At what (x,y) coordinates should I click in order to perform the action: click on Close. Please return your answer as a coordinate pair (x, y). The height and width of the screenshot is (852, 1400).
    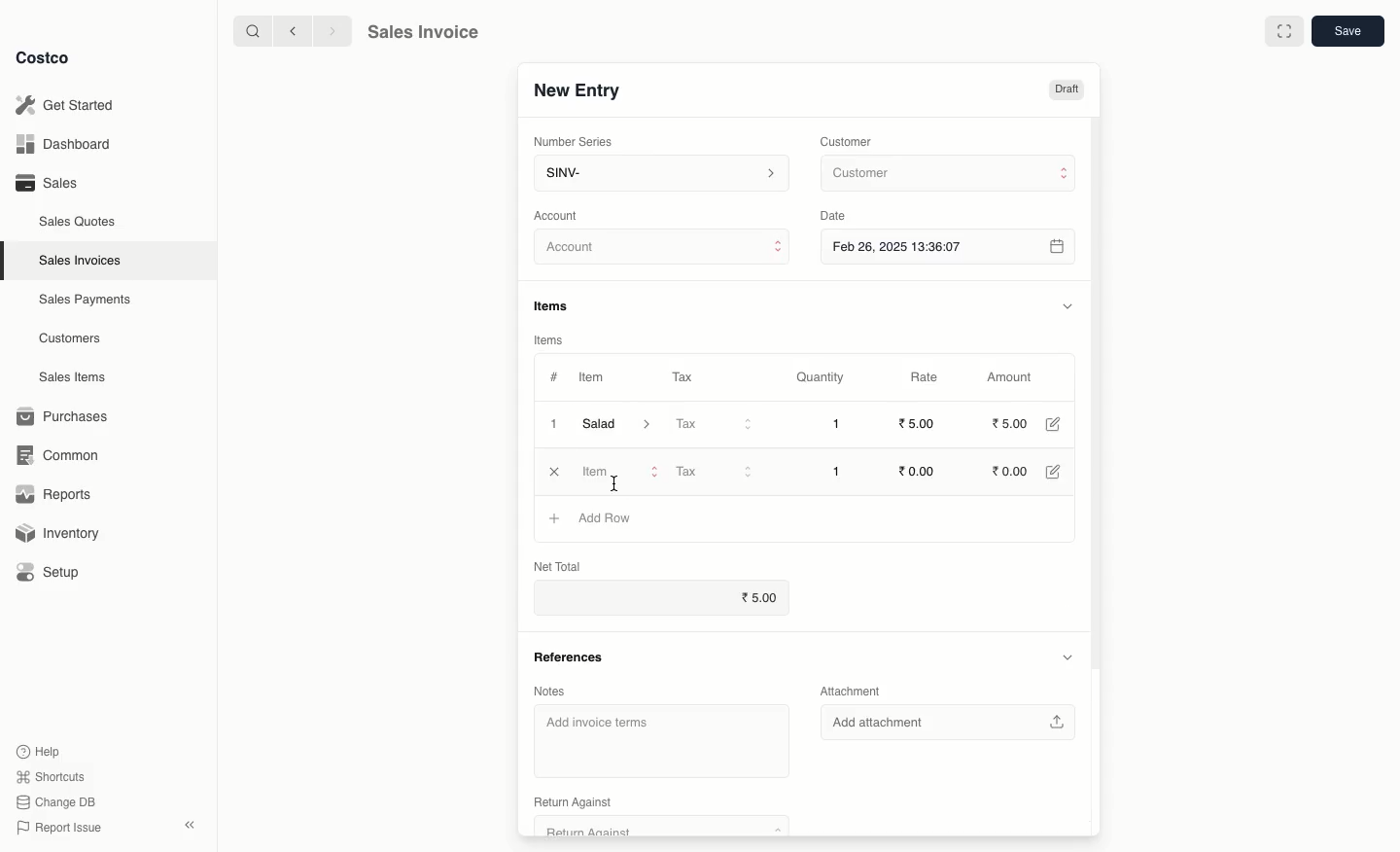
    Looking at the image, I should click on (555, 472).